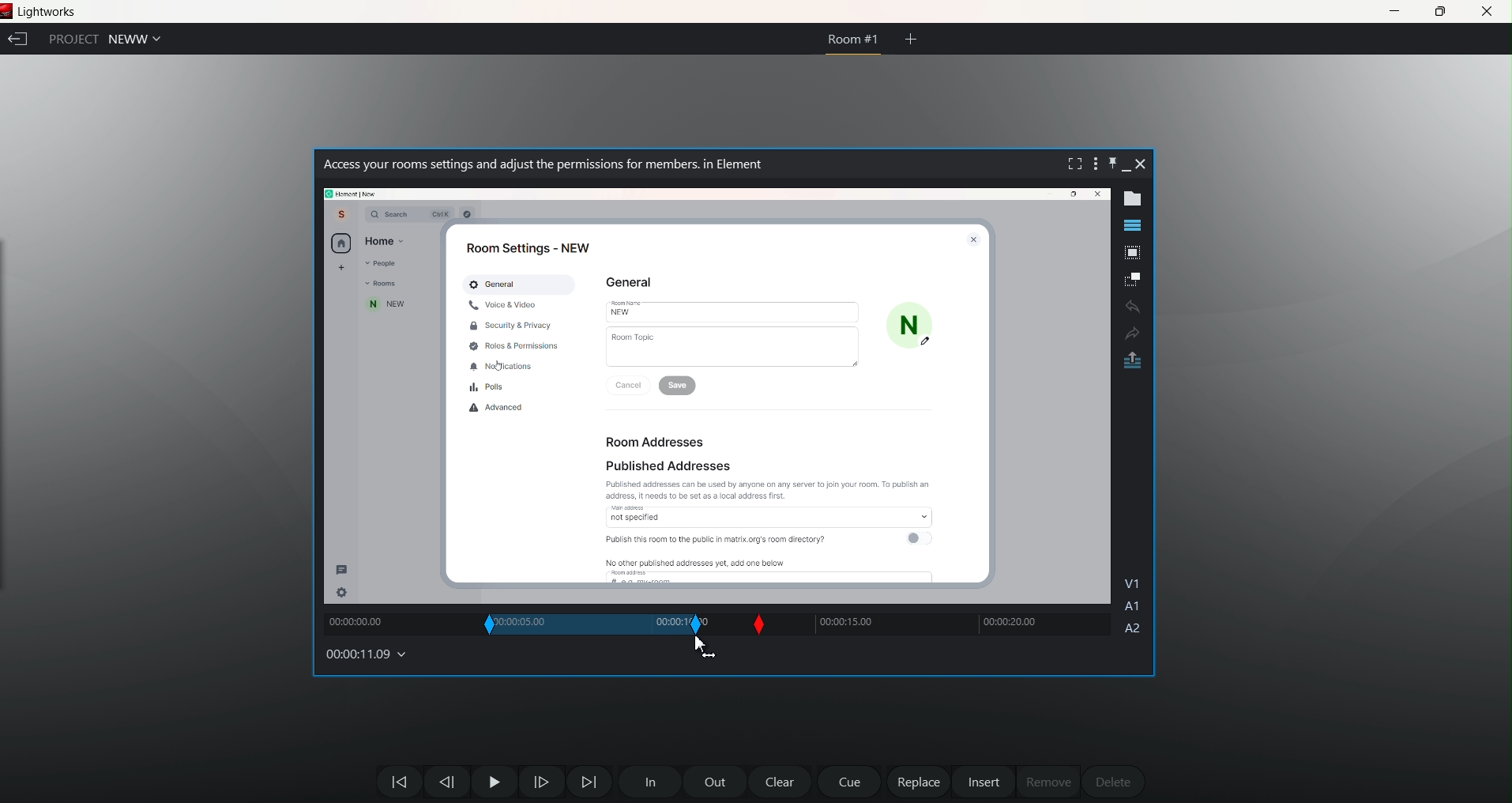 Image resolution: width=1512 pixels, height=803 pixels. What do you see at coordinates (392, 778) in the screenshot?
I see `move backwards` at bounding box center [392, 778].